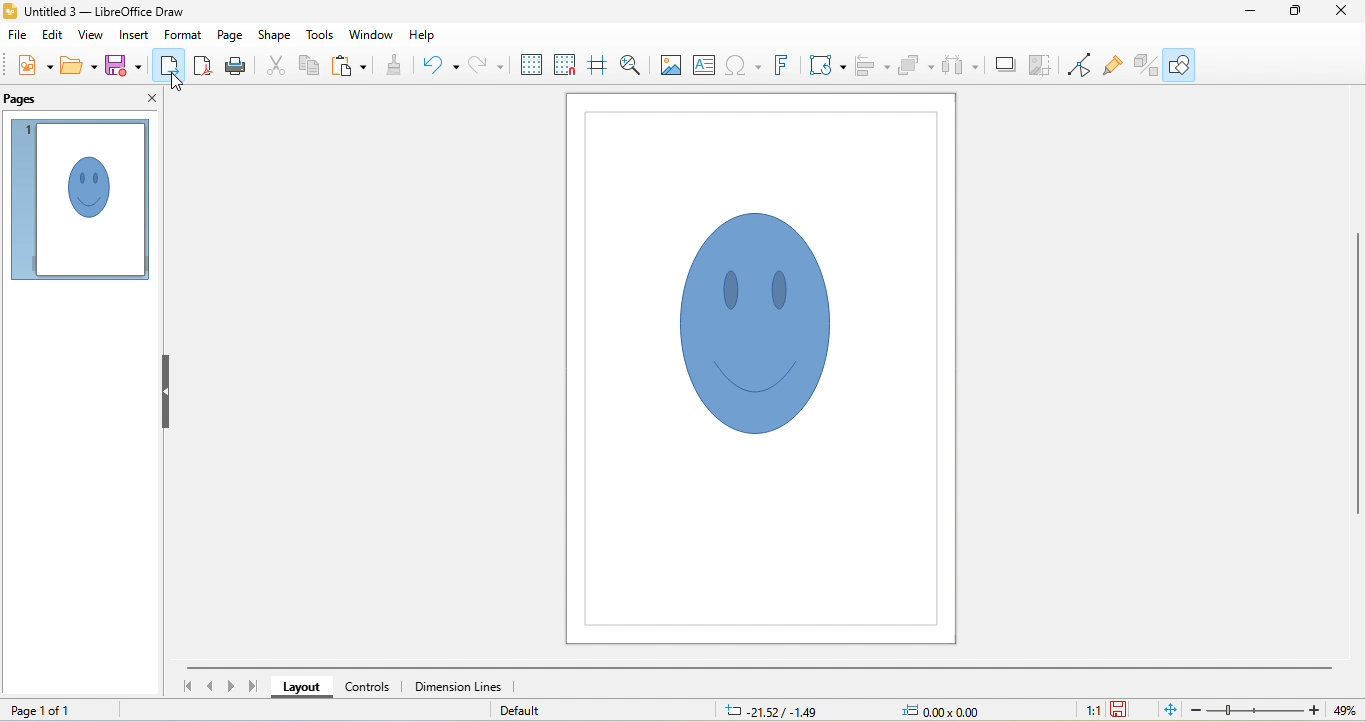  What do you see at coordinates (598, 65) in the screenshot?
I see `helplines while moving` at bounding box center [598, 65].